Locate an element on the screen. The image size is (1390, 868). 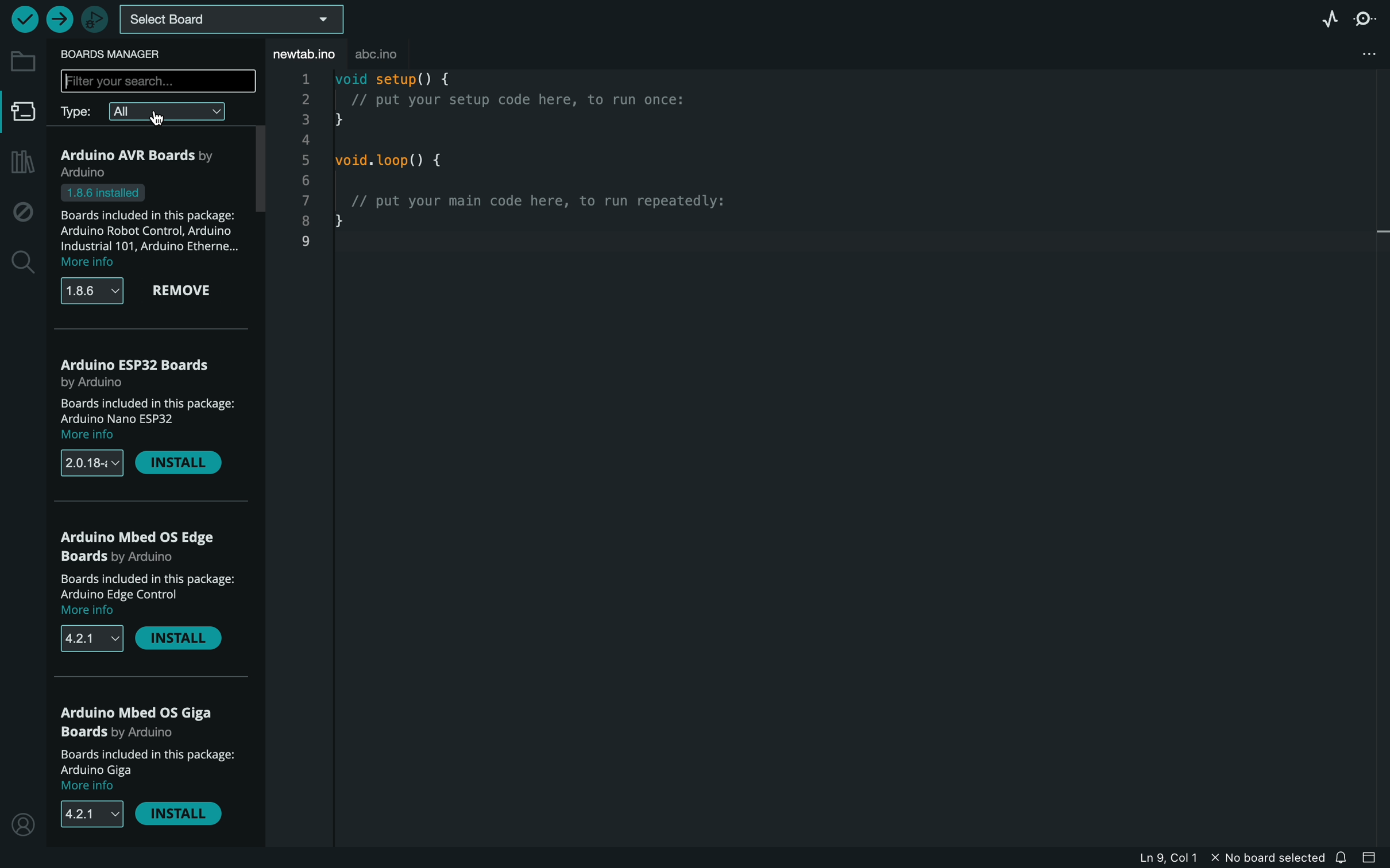
Mbed OS Boards is located at coordinates (148, 547).